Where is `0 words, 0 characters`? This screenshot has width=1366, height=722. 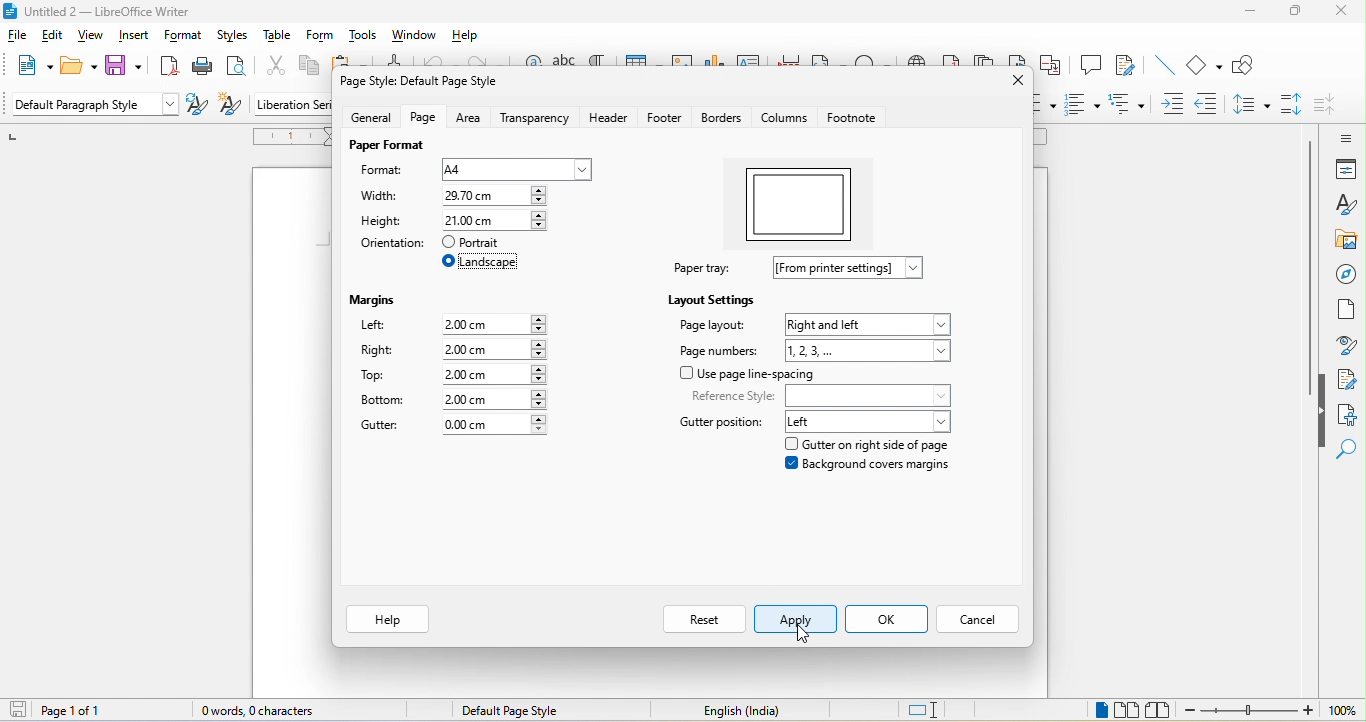 0 words, 0 characters is located at coordinates (268, 710).